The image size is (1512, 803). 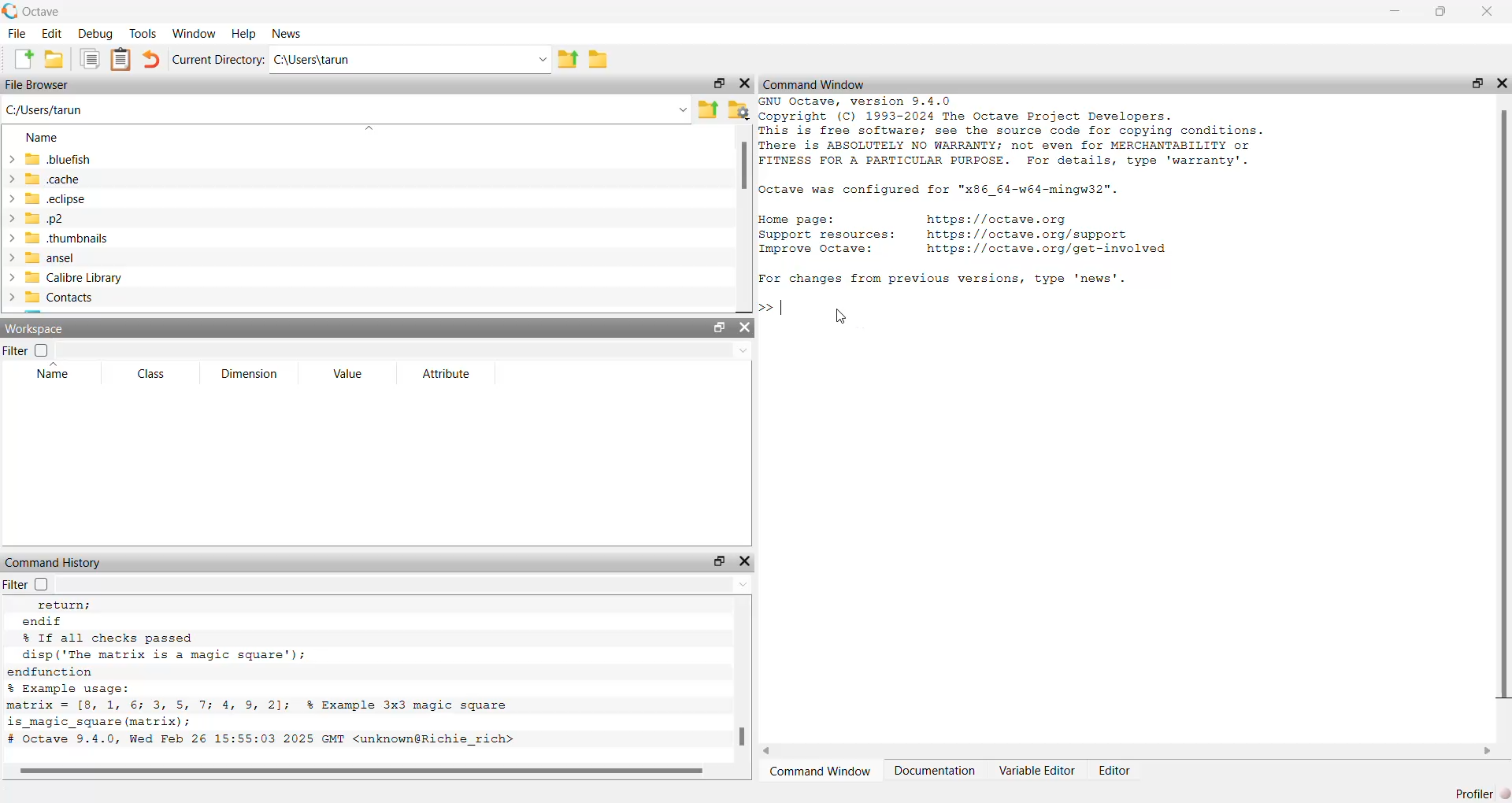 I want to click on close, so click(x=1502, y=83).